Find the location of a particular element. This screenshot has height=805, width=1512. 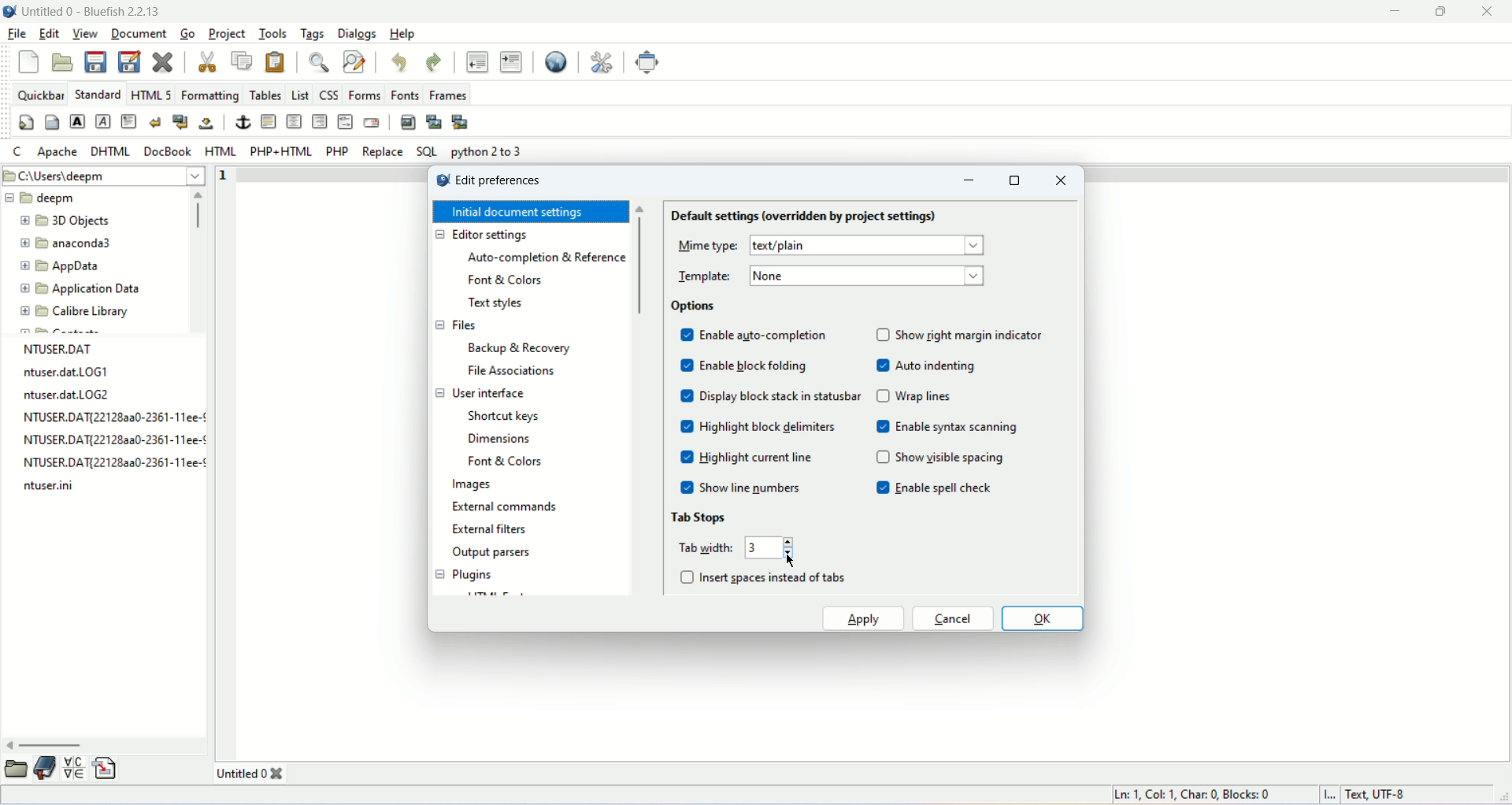

text/plain is located at coordinates (790, 247).